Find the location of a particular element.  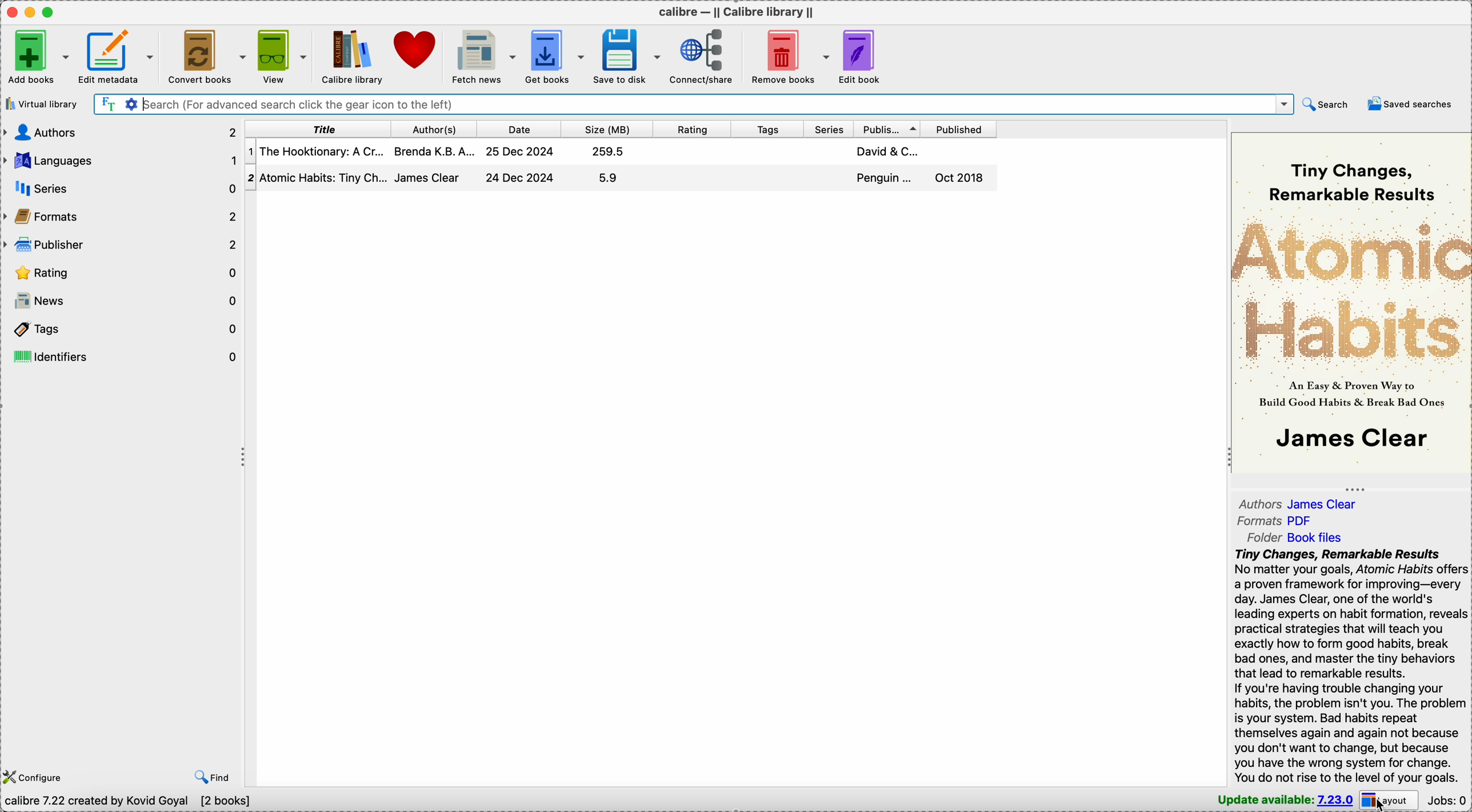

brenda K.B.A... is located at coordinates (434, 151).